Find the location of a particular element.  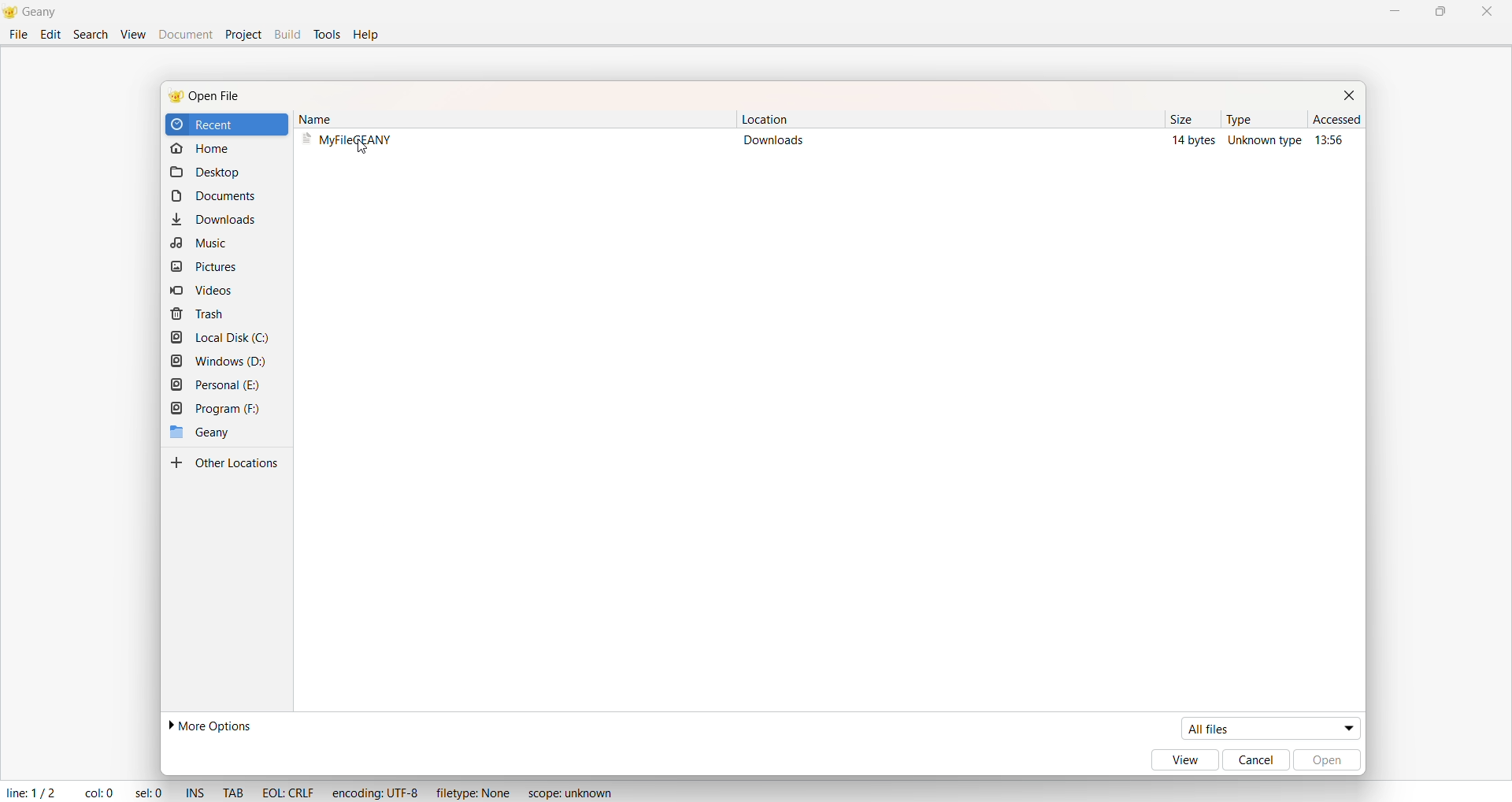

name is located at coordinates (328, 117).